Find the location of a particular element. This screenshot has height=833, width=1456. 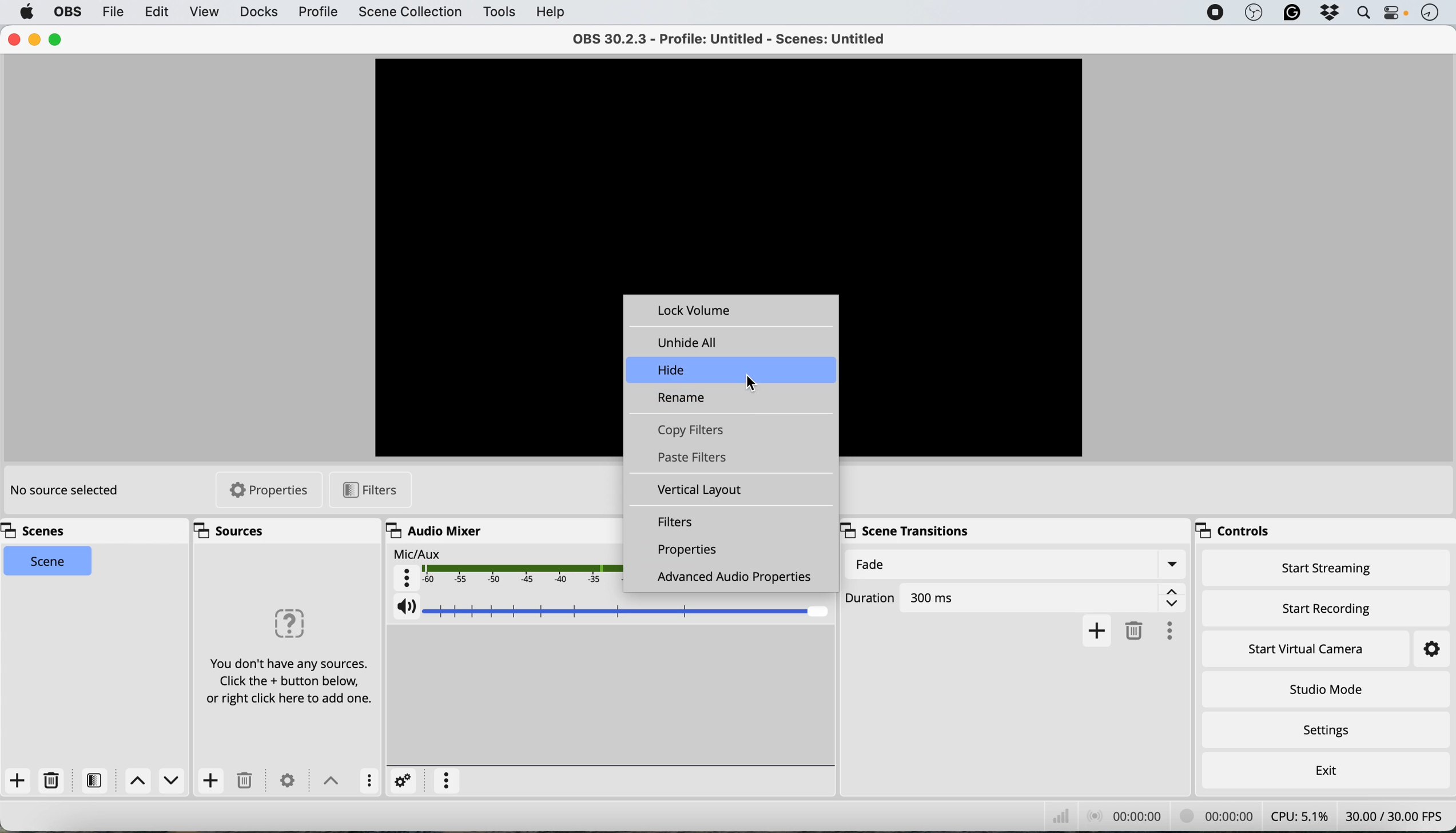

delete fade is located at coordinates (1133, 632).